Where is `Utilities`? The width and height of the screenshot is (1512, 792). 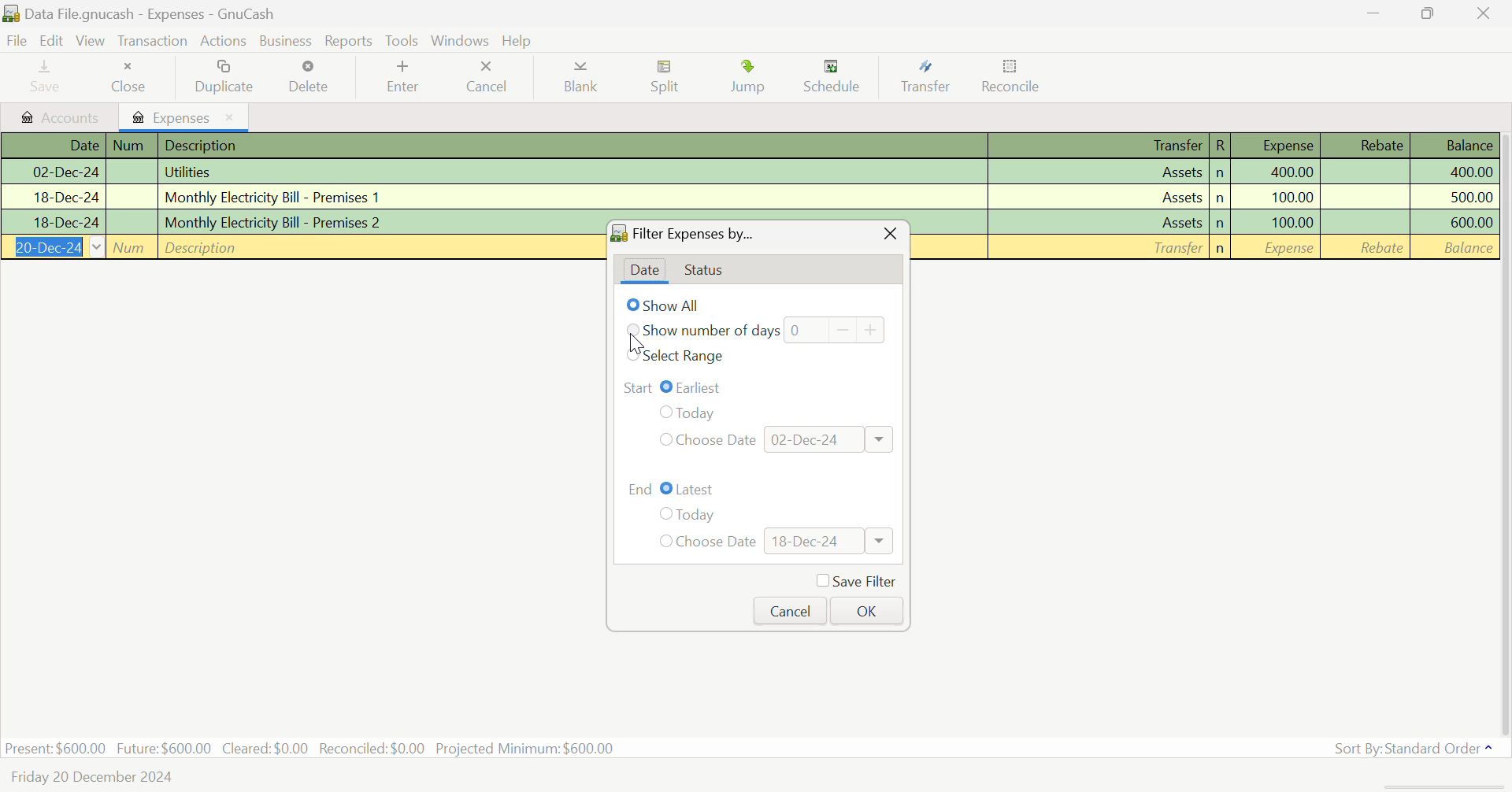 Utilities is located at coordinates (573, 172).